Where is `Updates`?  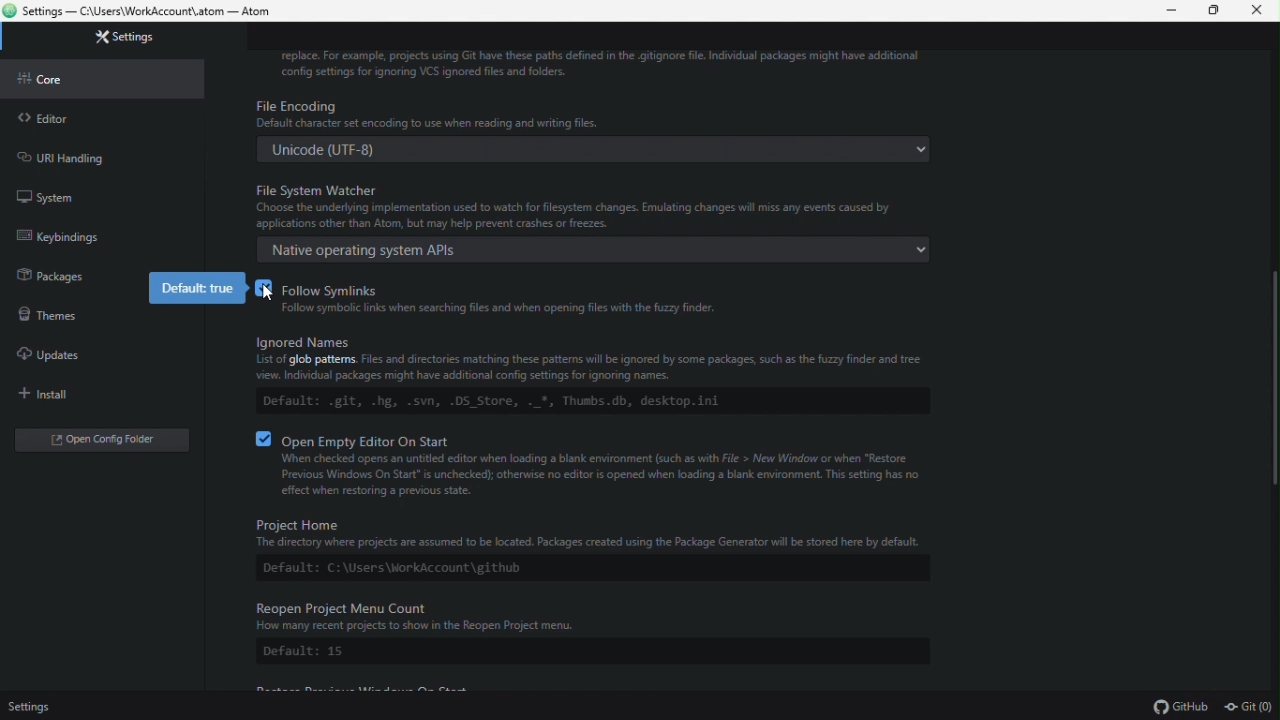
Updates is located at coordinates (94, 355).